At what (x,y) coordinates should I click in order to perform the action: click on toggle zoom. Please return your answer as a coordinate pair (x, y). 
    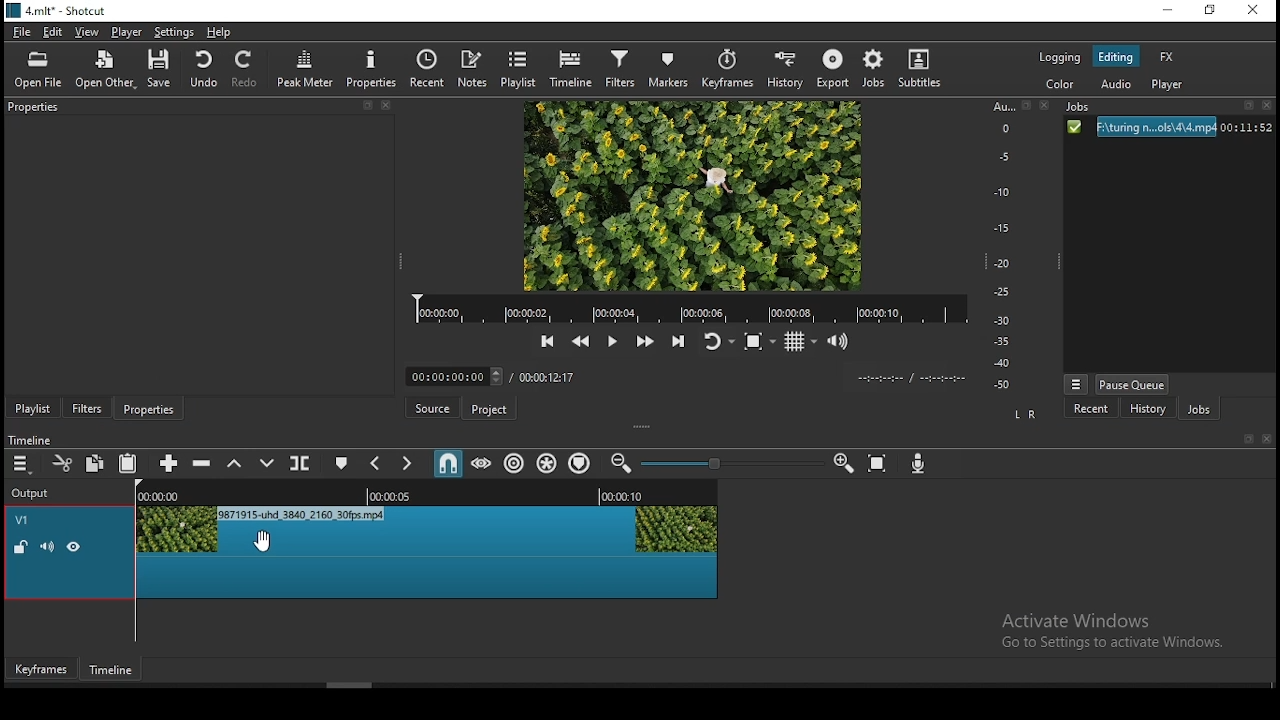
    Looking at the image, I should click on (763, 341).